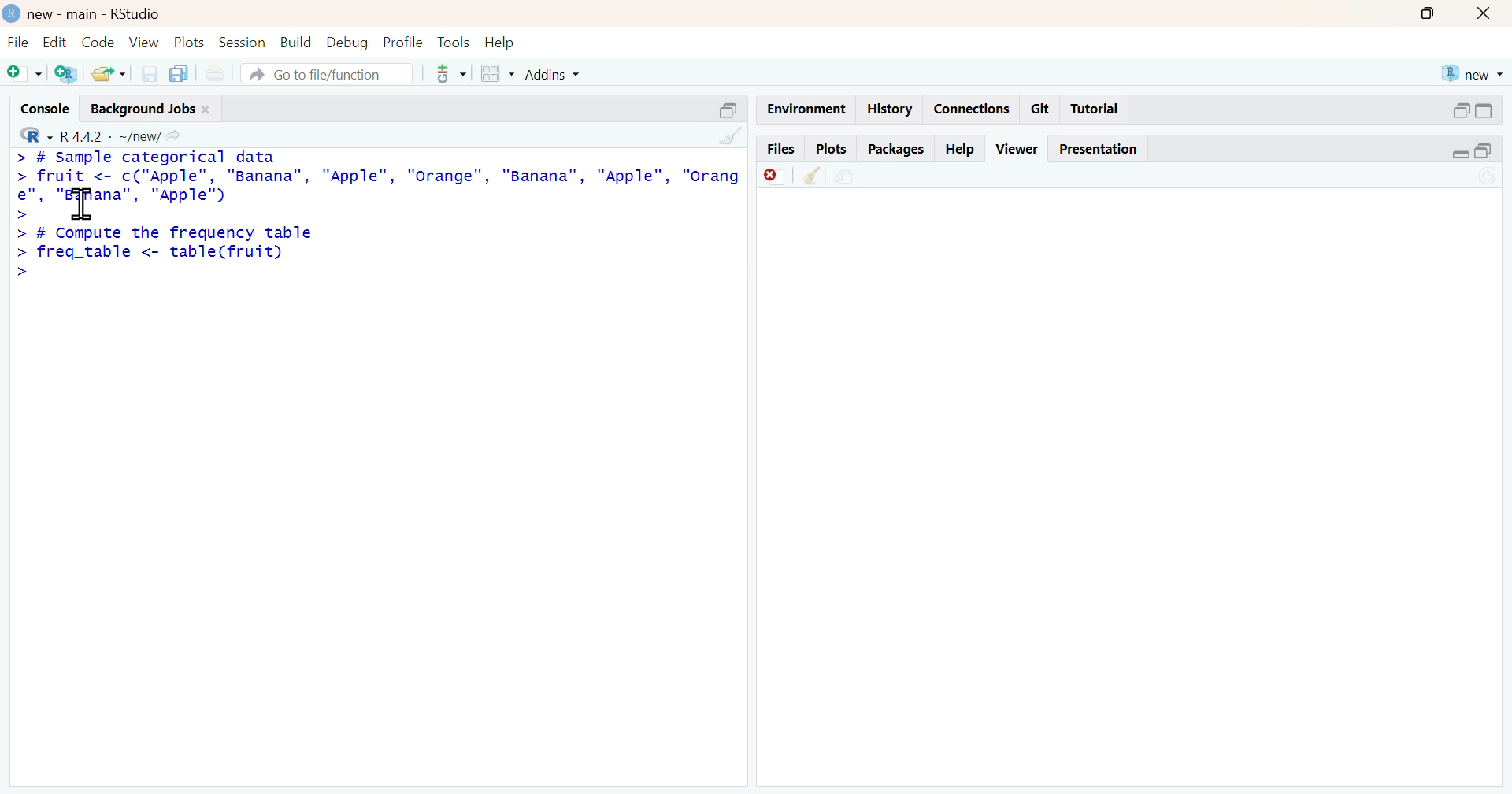 This screenshot has height=794, width=1512. What do you see at coordinates (17, 43) in the screenshot?
I see `file` at bounding box center [17, 43].